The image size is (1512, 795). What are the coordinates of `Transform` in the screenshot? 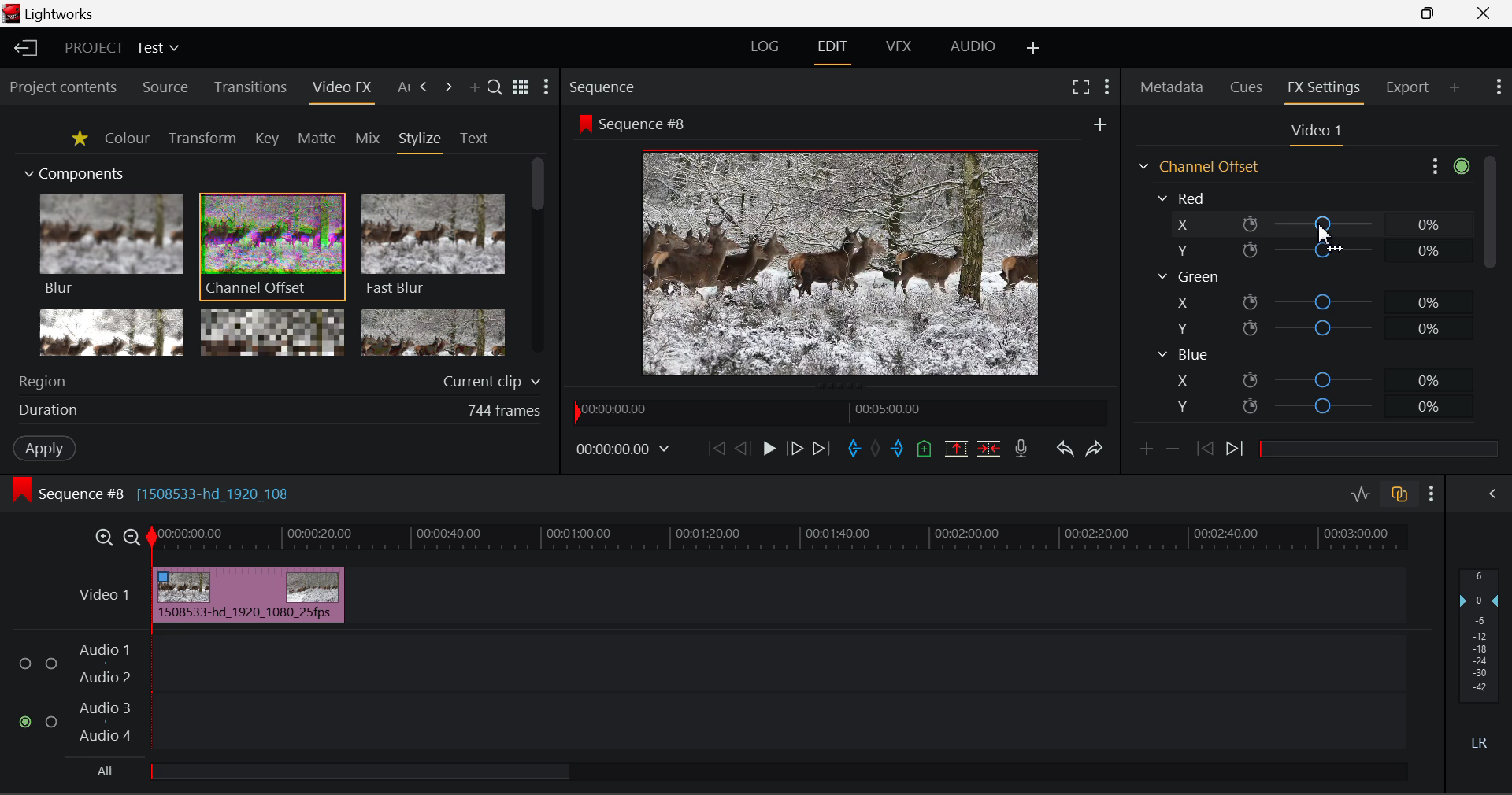 It's located at (202, 139).